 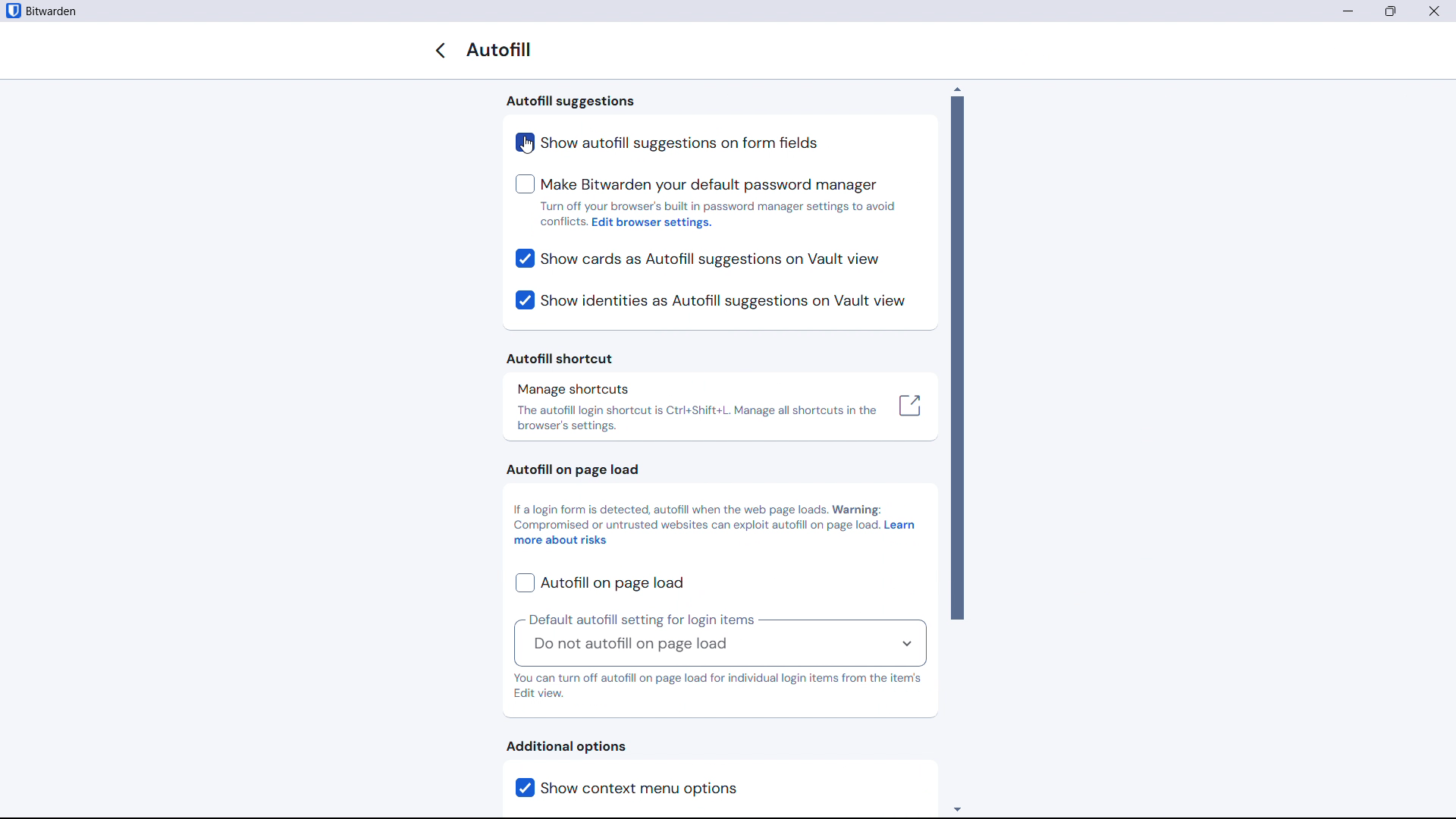 I want to click on Default autofield settings for login items, so click(x=642, y=619).